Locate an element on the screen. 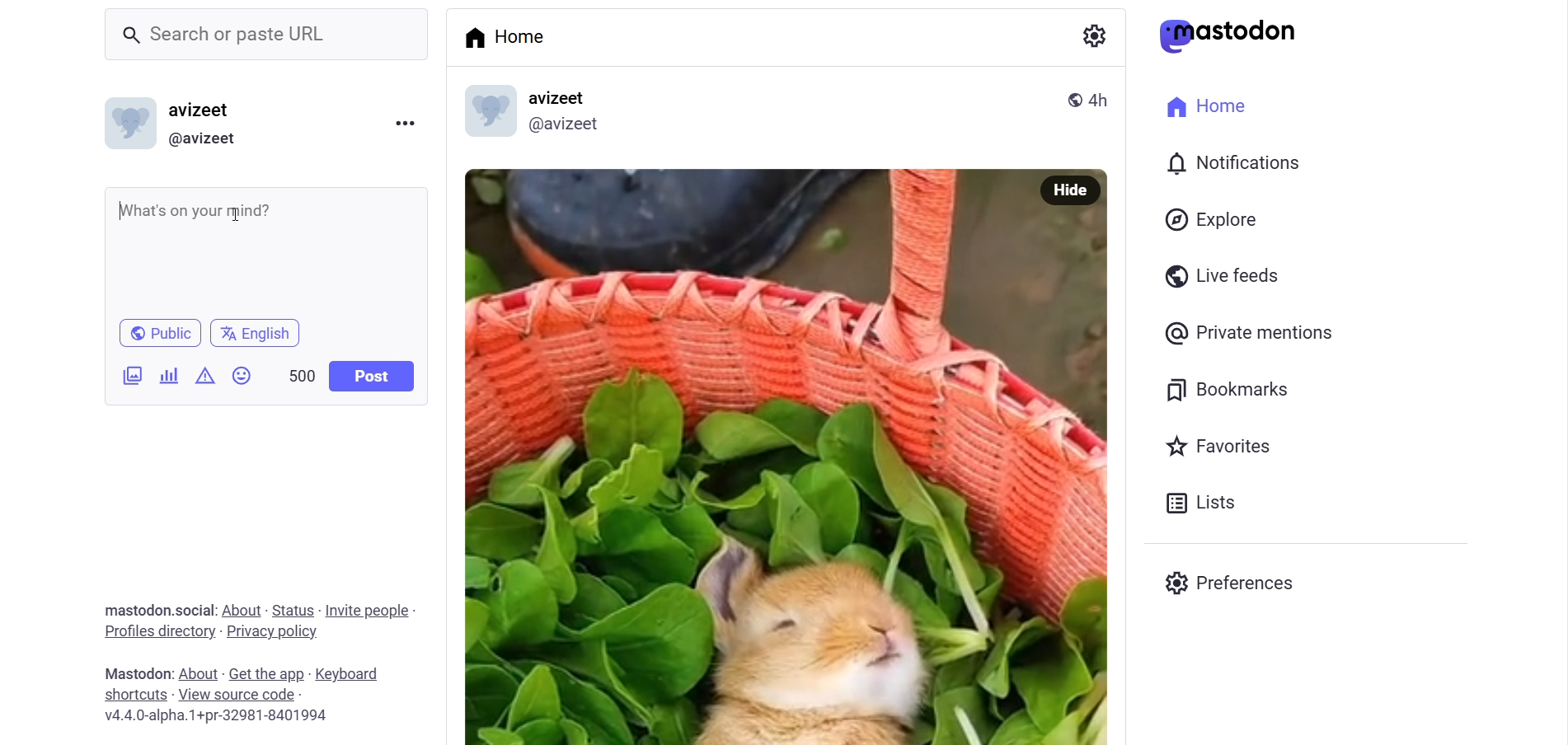 This screenshot has height=745, width=1568. Emojis is located at coordinates (241, 373).